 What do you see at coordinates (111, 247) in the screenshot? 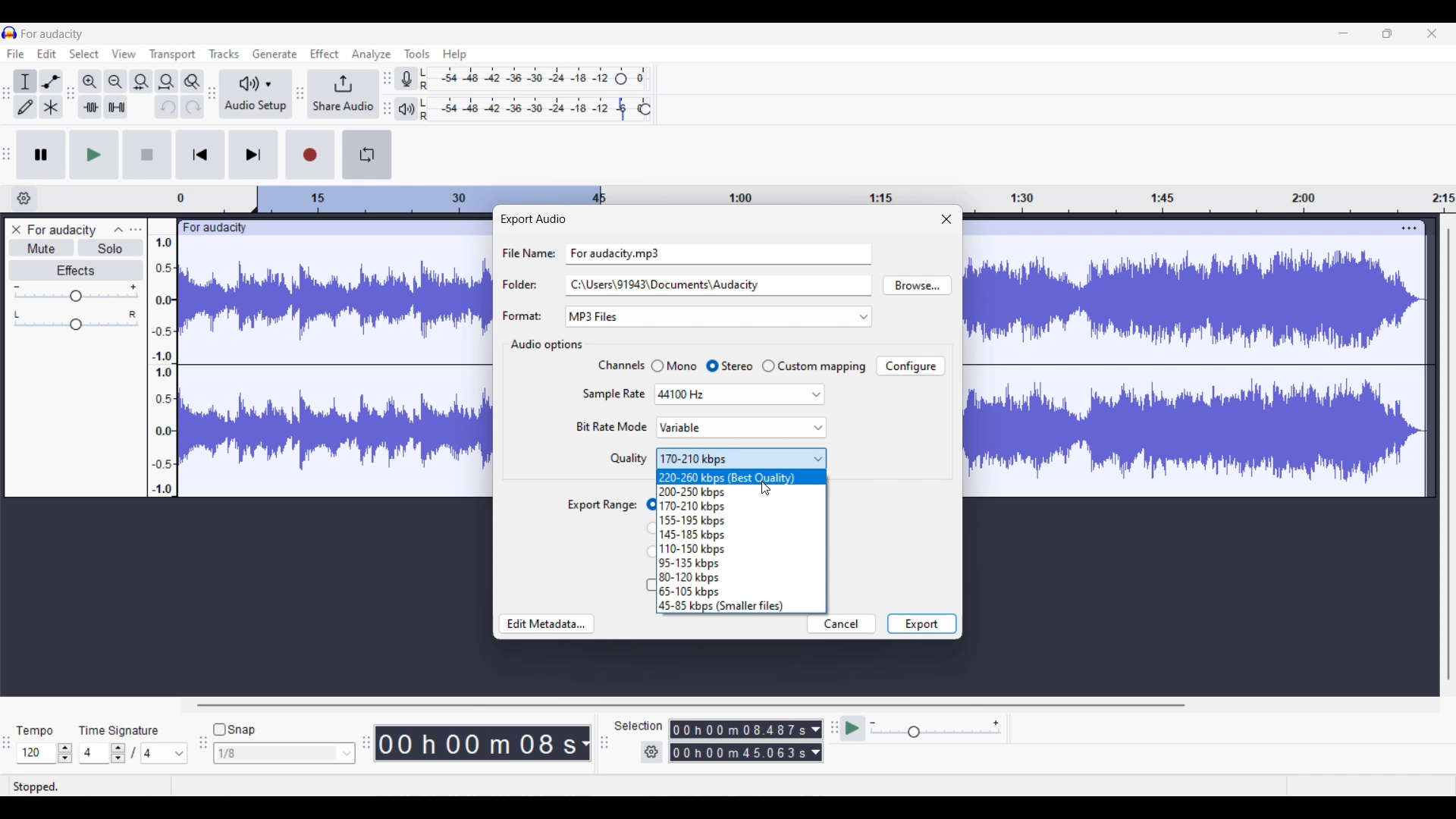
I see `Solo` at bounding box center [111, 247].